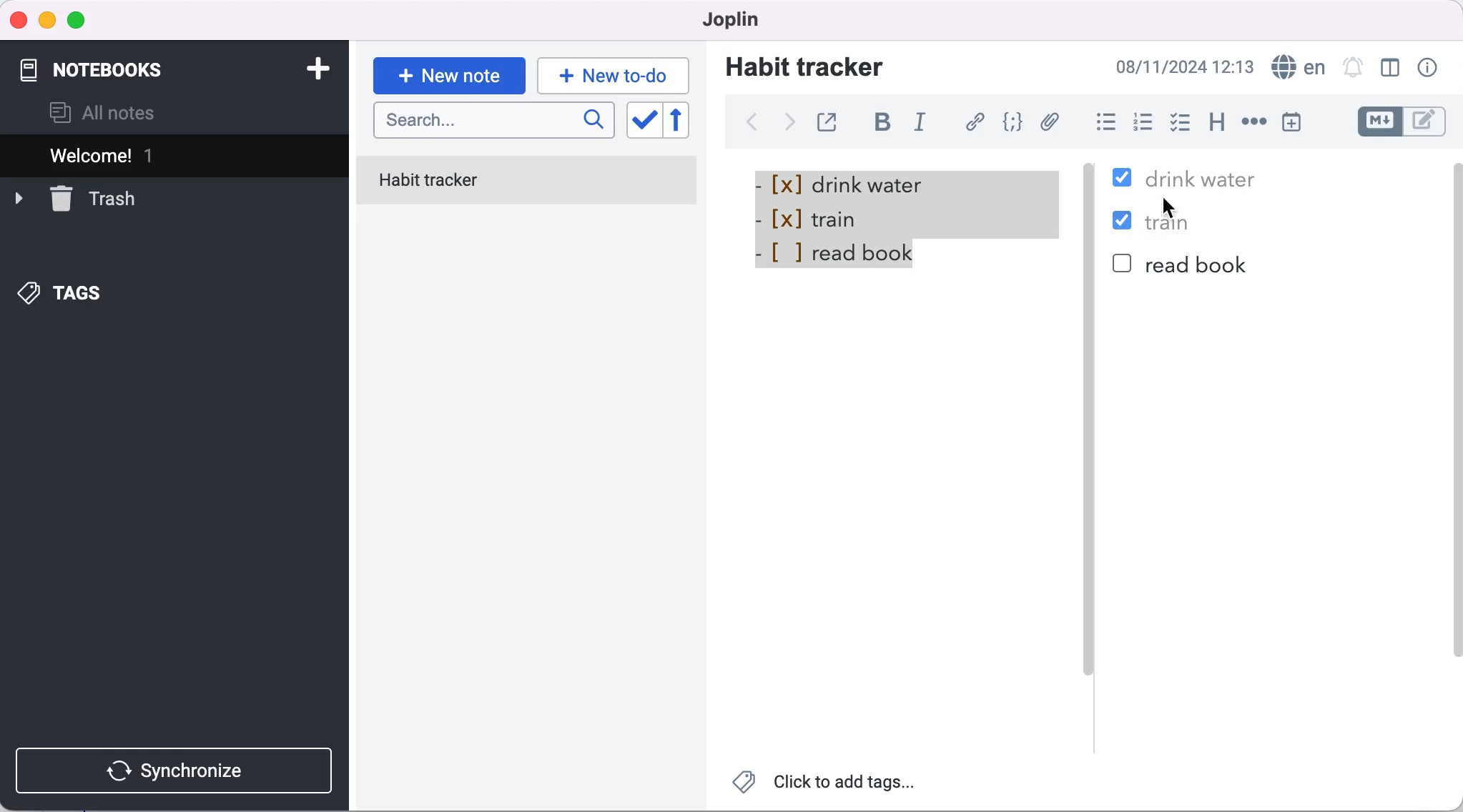 The width and height of the screenshot is (1463, 812). What do you see at coordinates (846, 184) in the screenshot?
I see `- [x] drink water` at bounding box center [846, 184].